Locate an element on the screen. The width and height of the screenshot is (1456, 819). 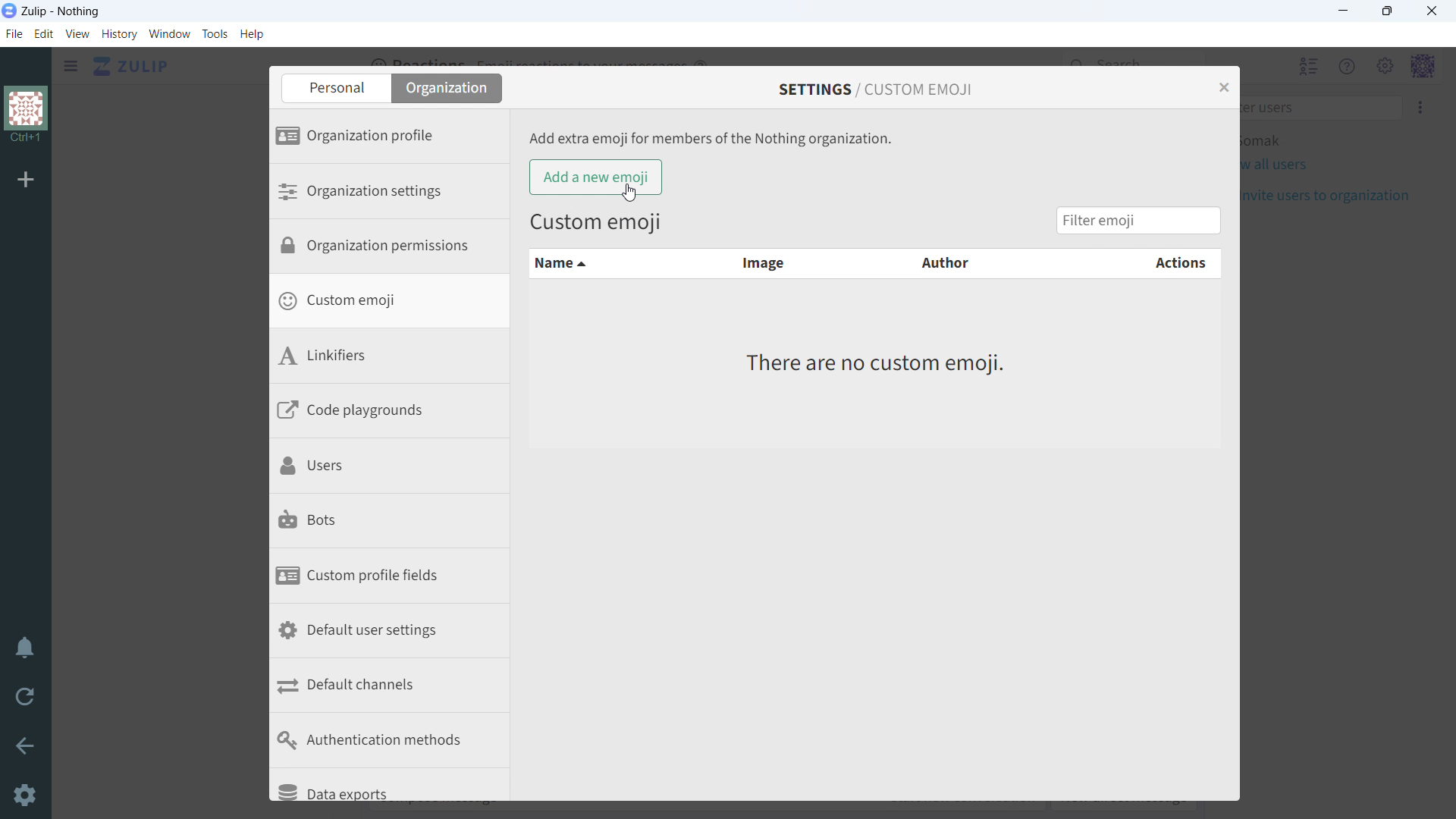
filter emoji is located at coordinates (1137, 219).